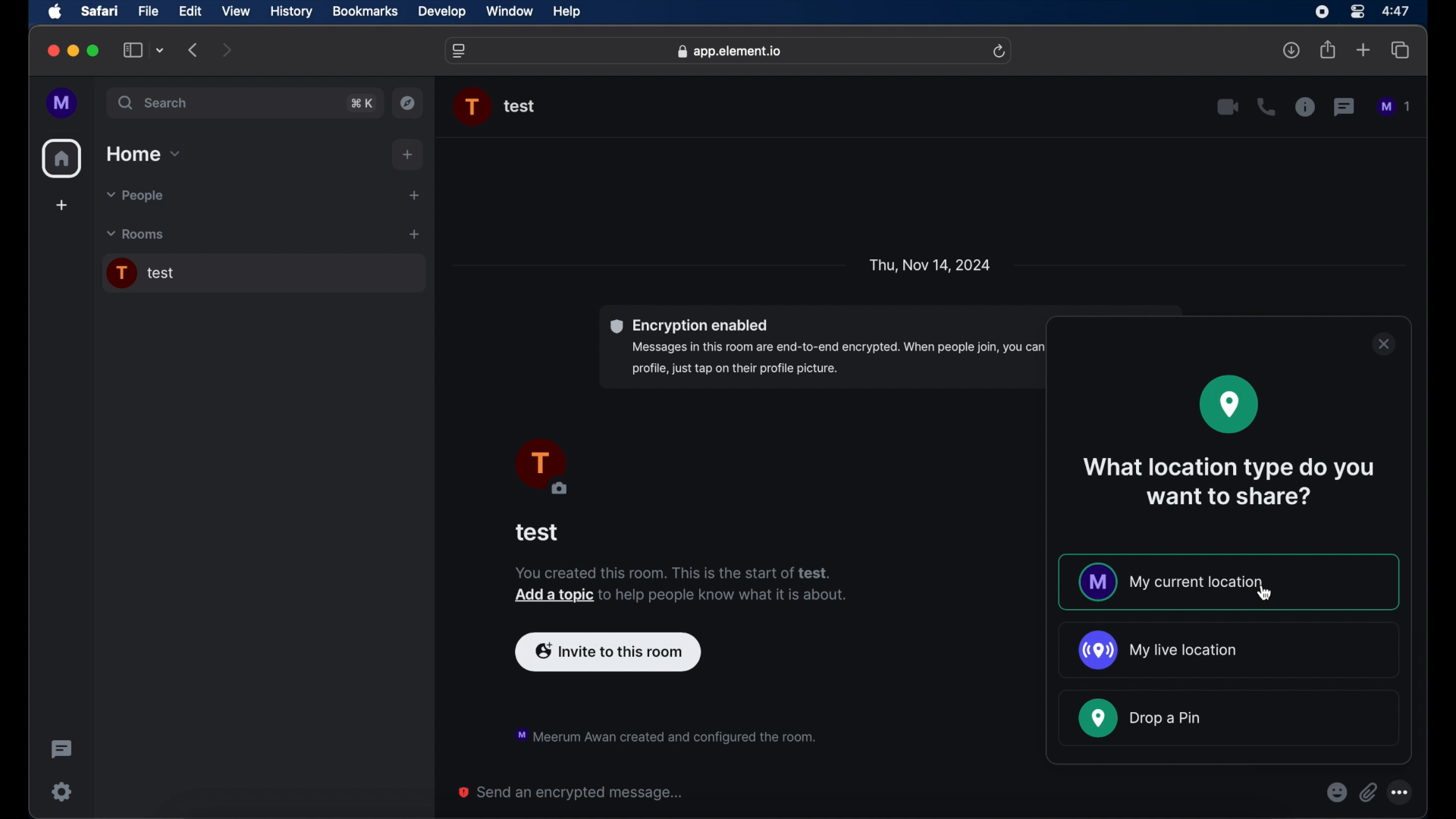 The image size is (1456, 819). Describe the element at coordinates (930, 264) in the screenshot. I see `date and day` at that location.